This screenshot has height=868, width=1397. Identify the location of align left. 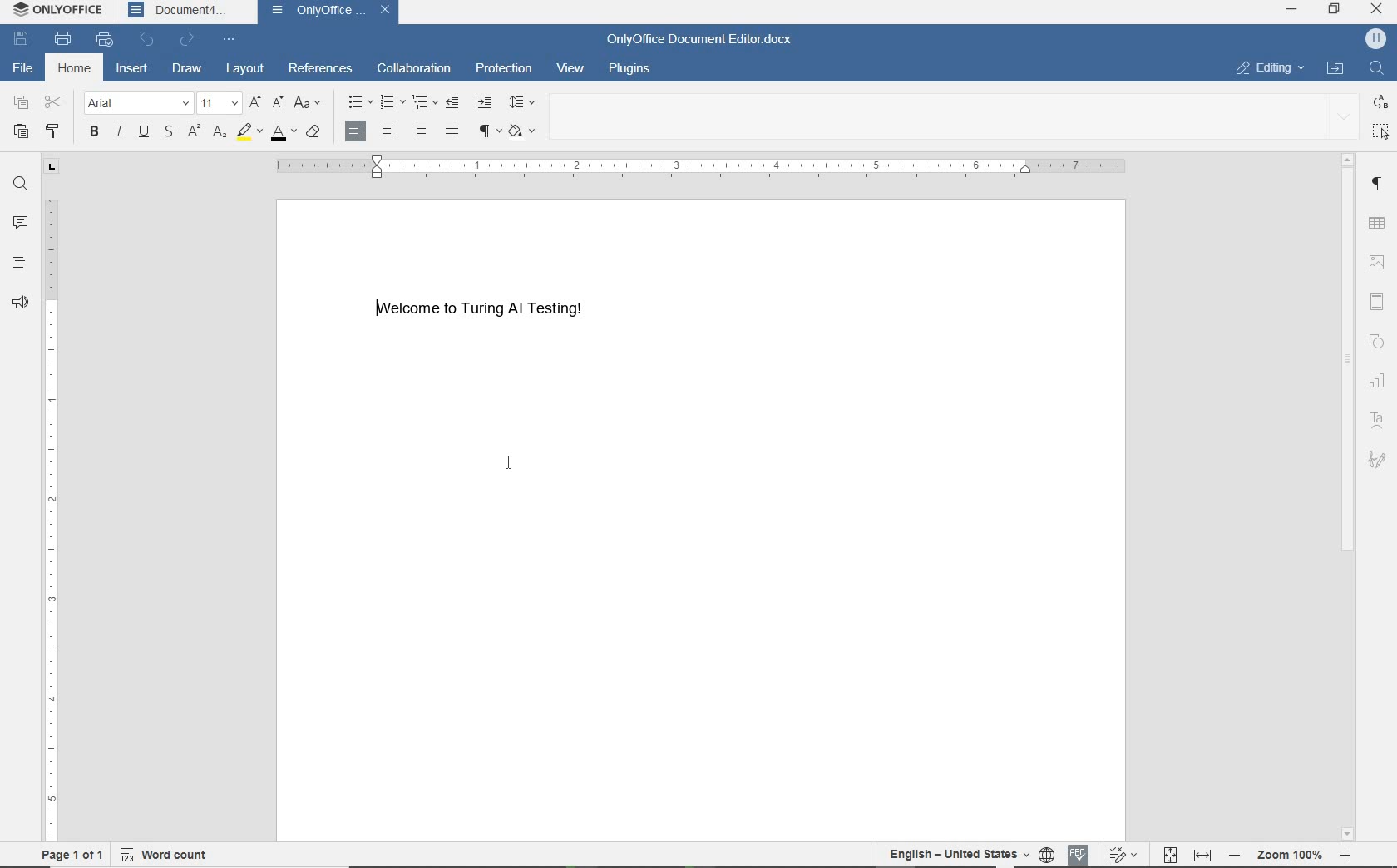
(356, 129).